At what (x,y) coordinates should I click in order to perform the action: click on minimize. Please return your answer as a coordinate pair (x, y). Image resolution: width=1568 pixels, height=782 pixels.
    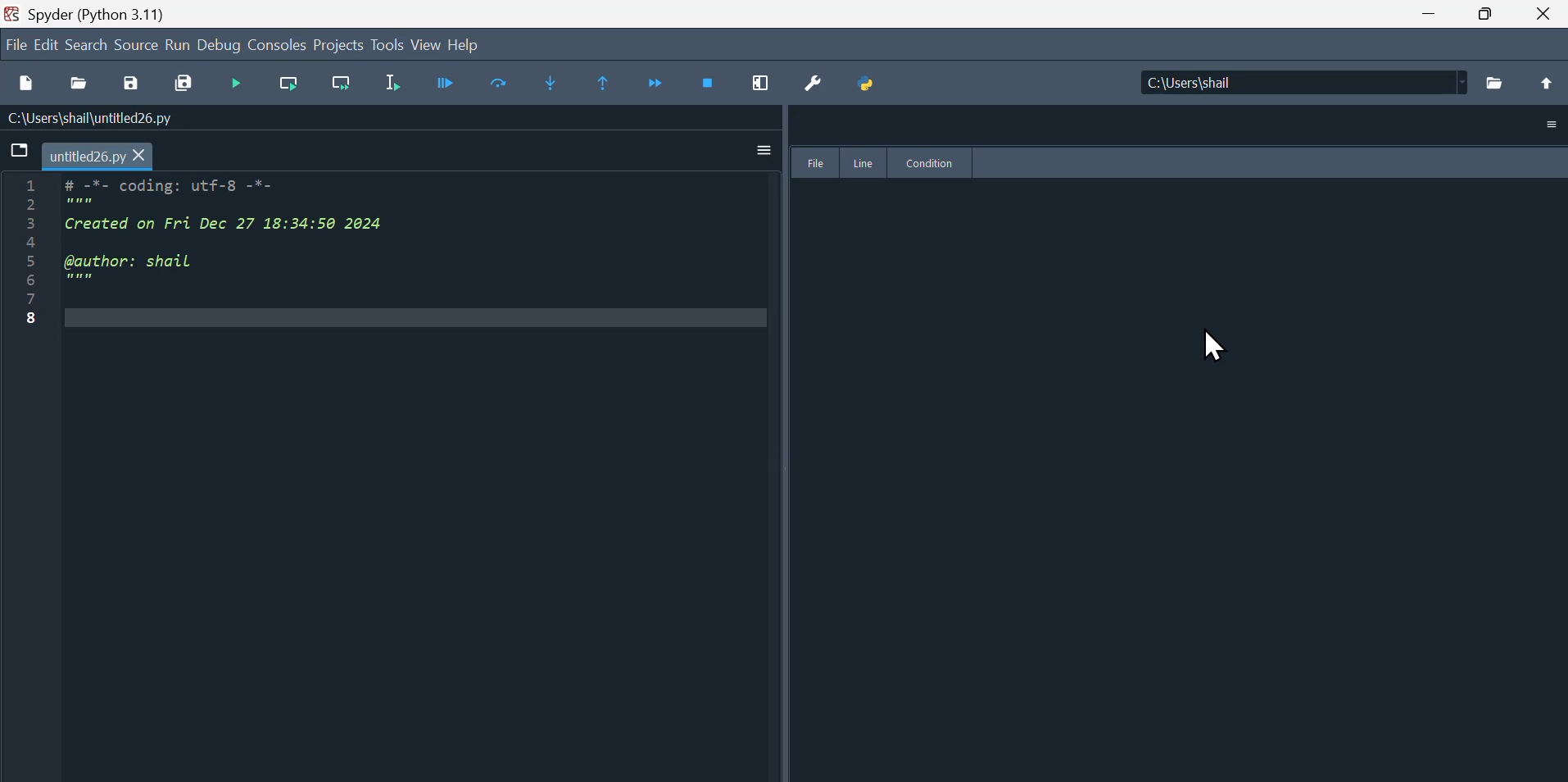
    Looking at the image, I should click on (1430, 14).